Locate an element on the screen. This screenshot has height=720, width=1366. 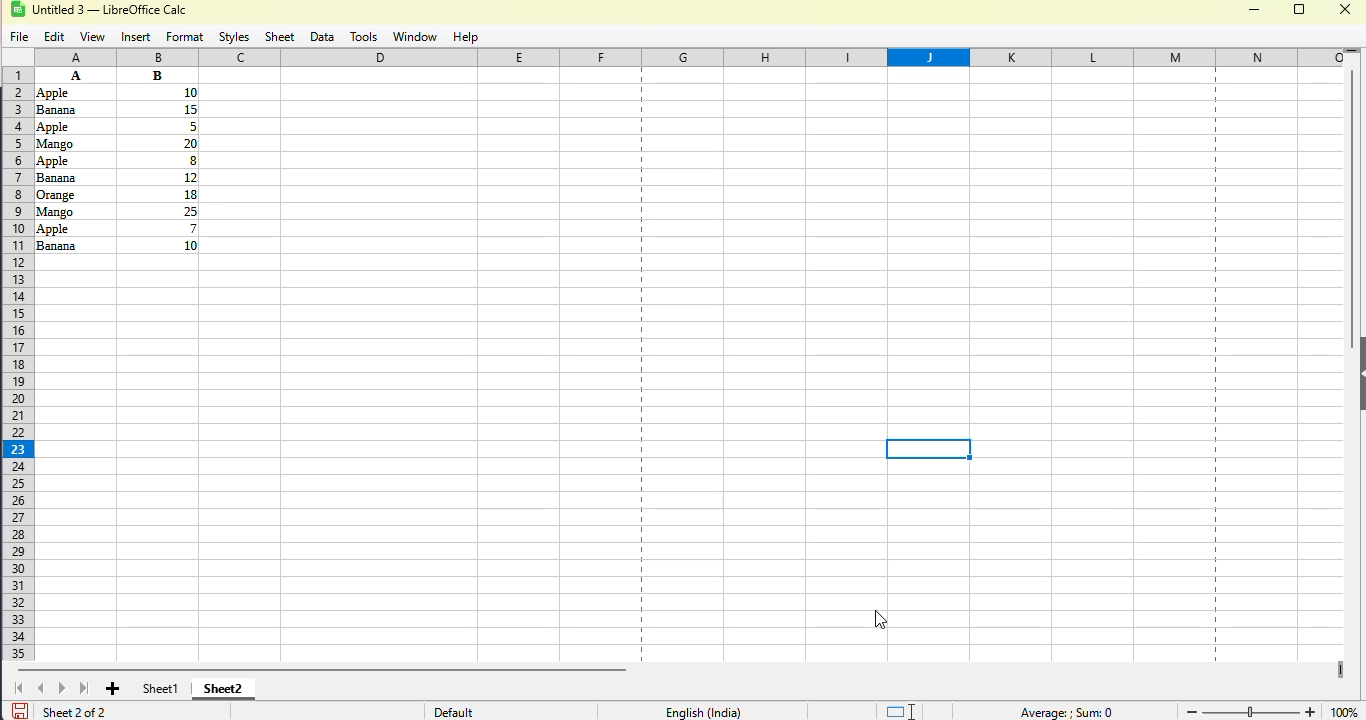
vertical scroll bar is located at coordinates (1352, 209).